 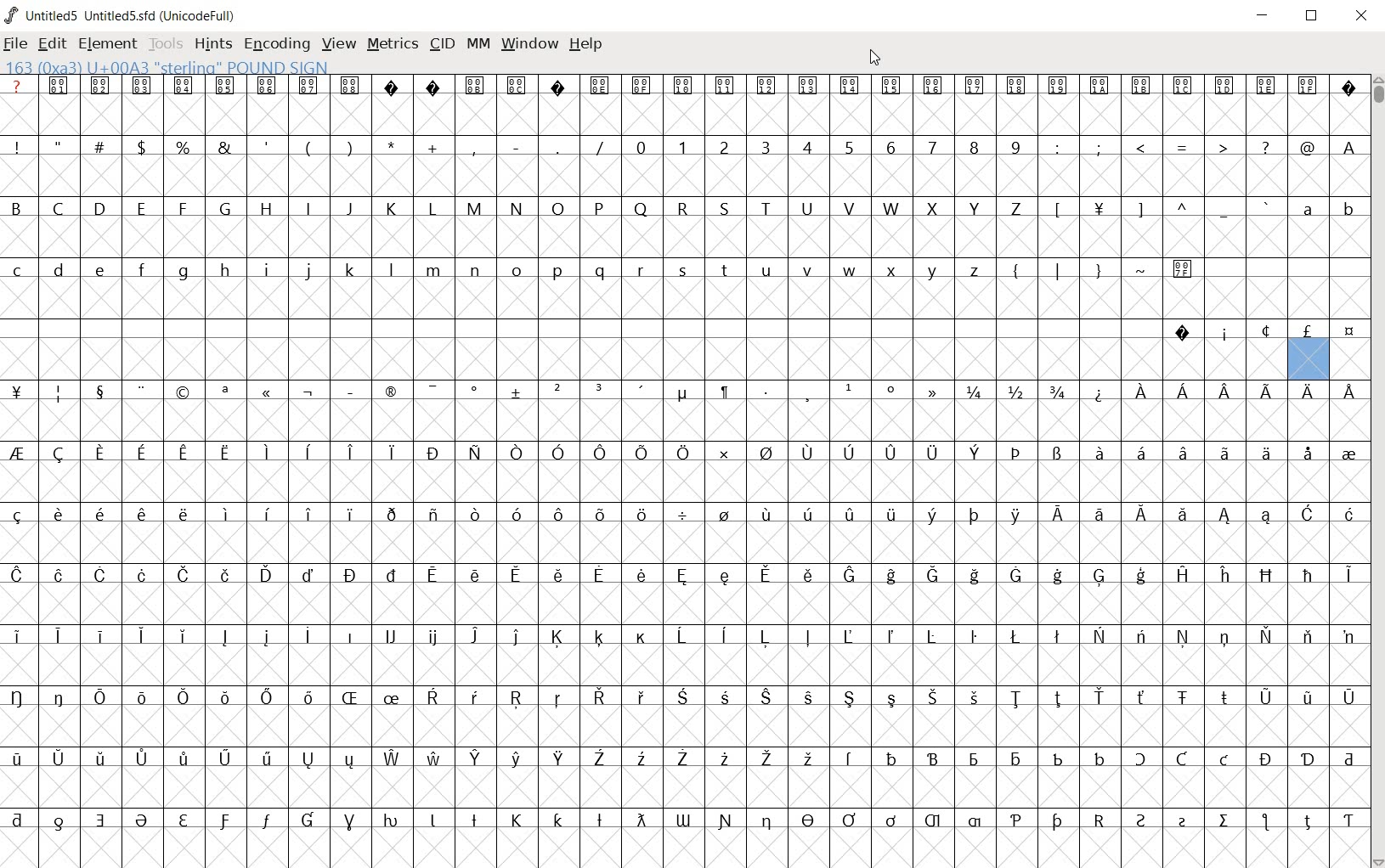 What do you see at coordinates (275, 45) in the screenshot?
I see `ENCODING` at bounding box center [275, 45].